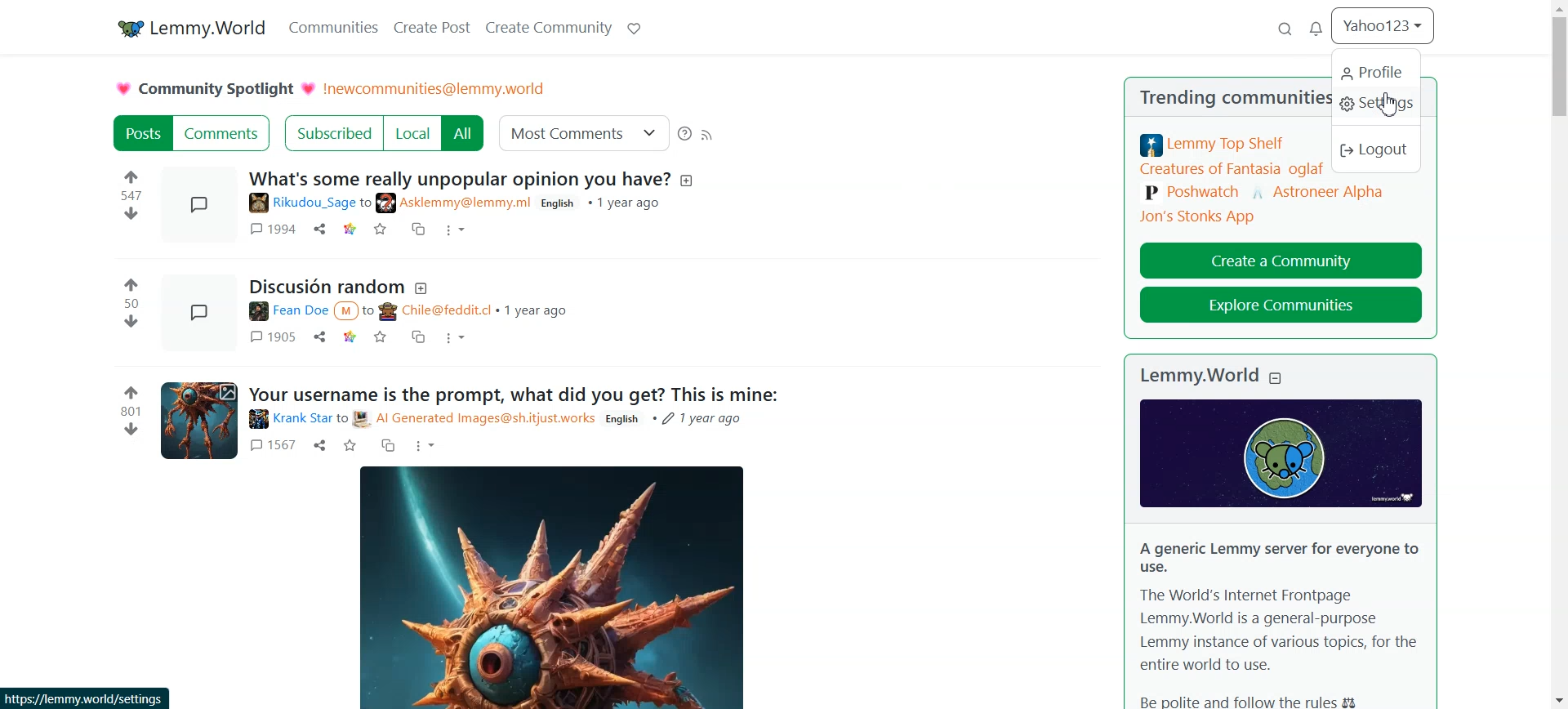  Describe the element at coordinates (269, 228) in the screenshot. I see `1994 comments` at that location.